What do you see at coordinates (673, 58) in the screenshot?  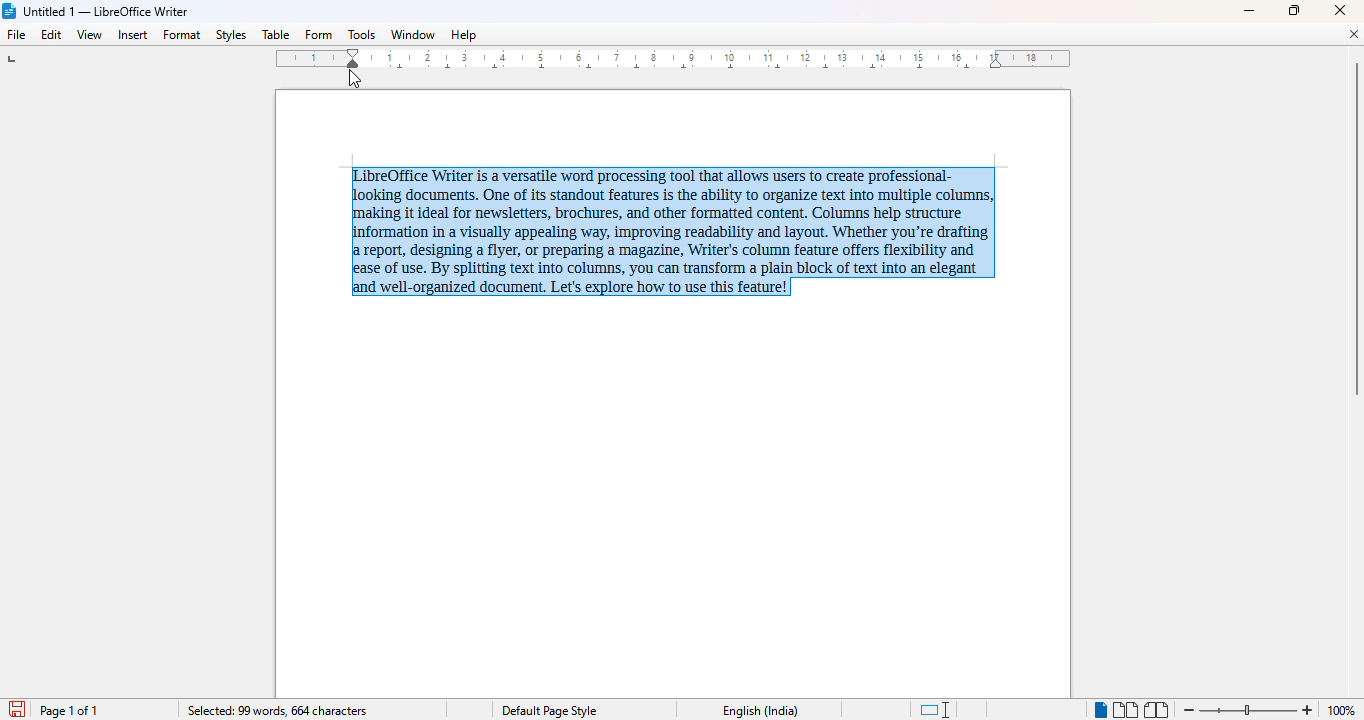 I see `ruler` at bounding box center [673, 58].